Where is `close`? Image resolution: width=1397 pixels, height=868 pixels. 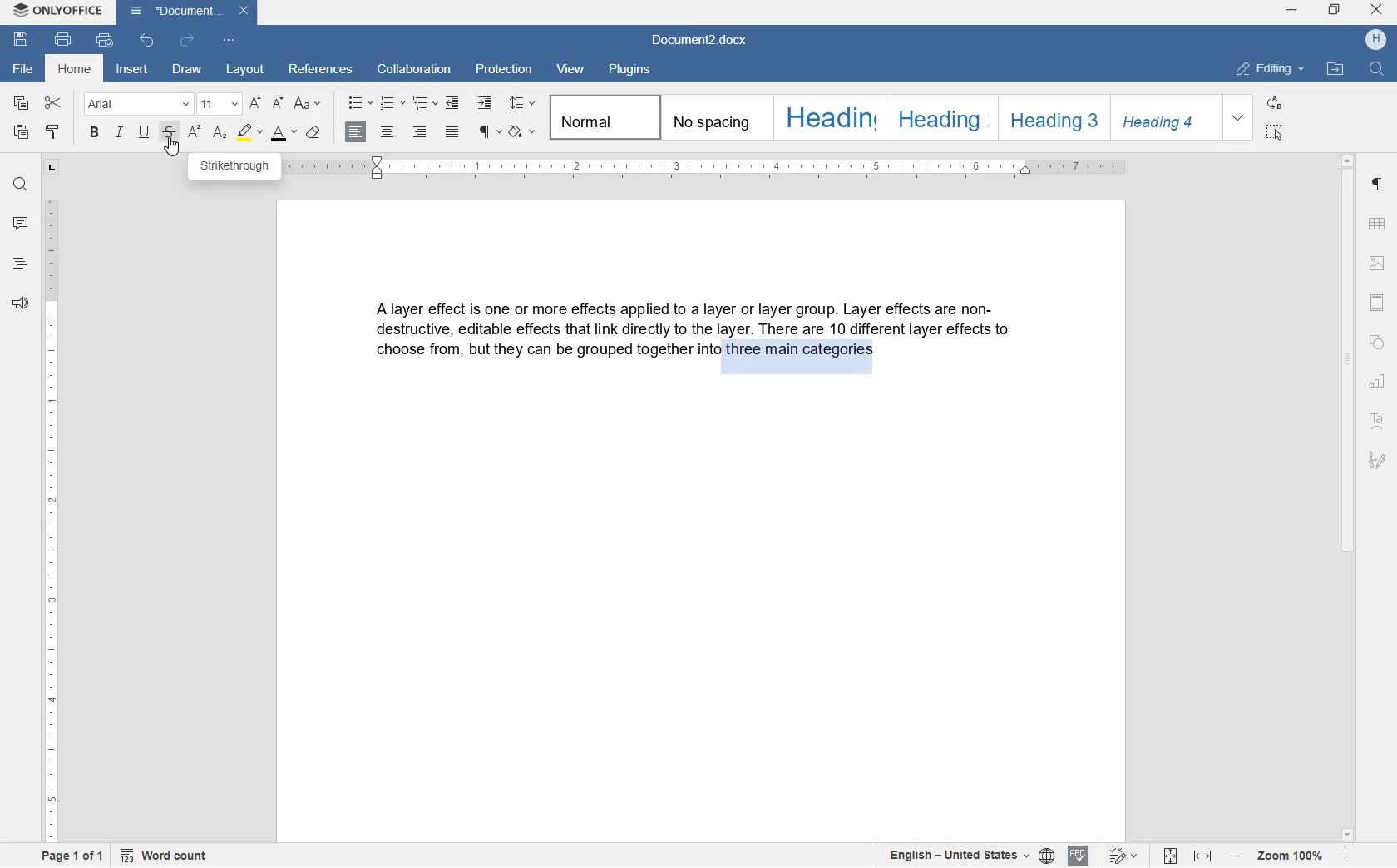
close is located at coordinates (1376, 9).